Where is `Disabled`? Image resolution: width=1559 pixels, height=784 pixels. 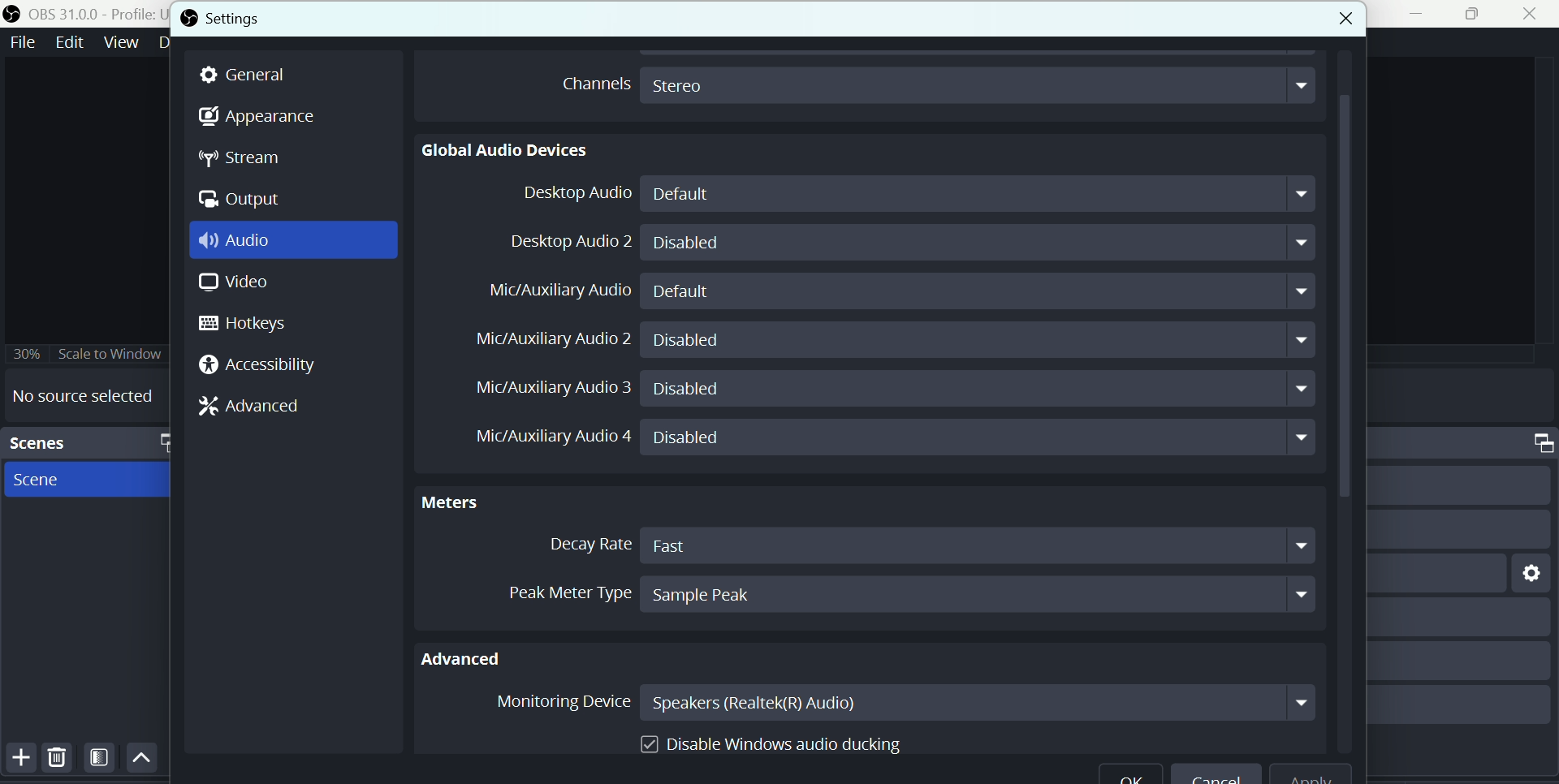 Disabled is located at coordinates (978, 340).